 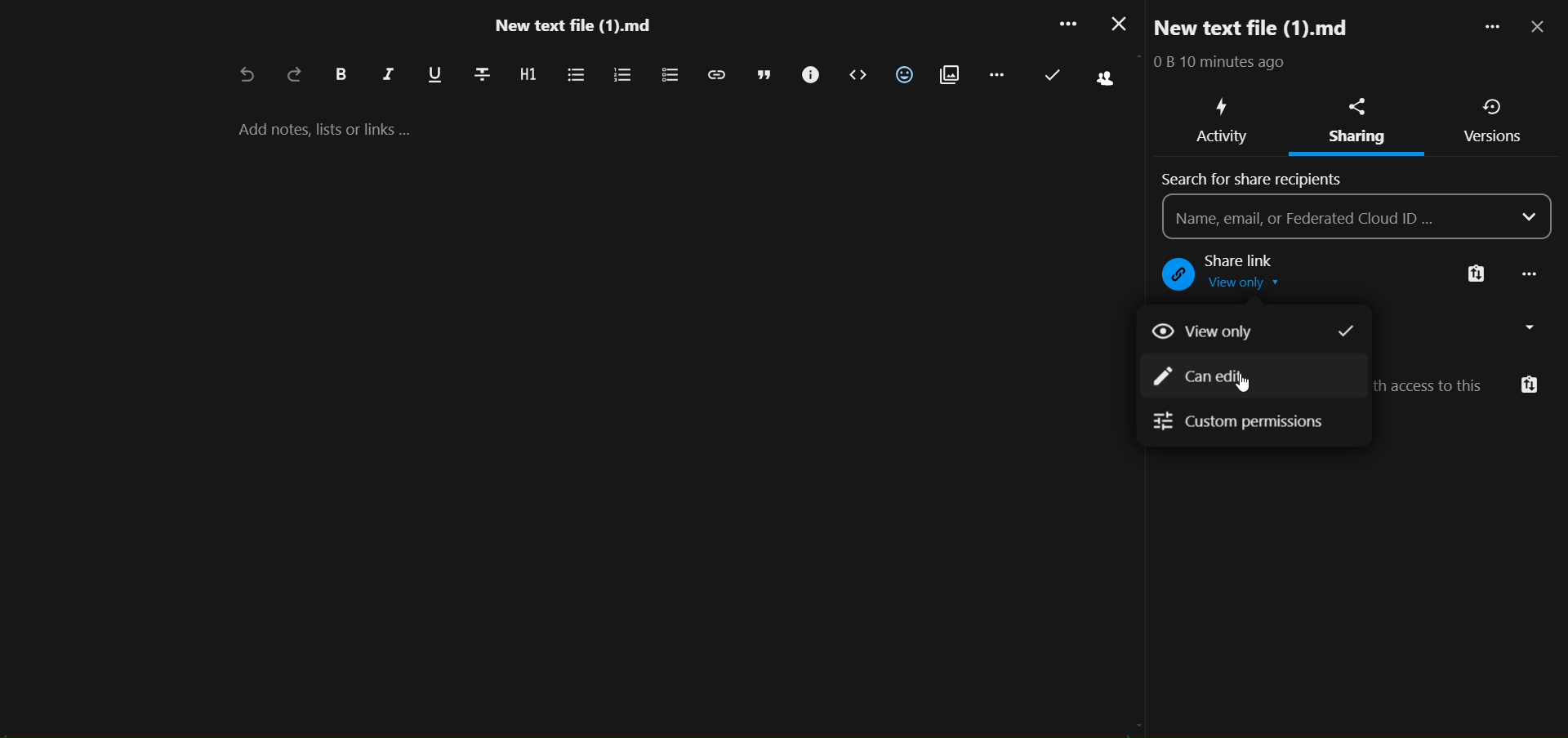 I want to click on insert attachment, so click(x=949, y=76).